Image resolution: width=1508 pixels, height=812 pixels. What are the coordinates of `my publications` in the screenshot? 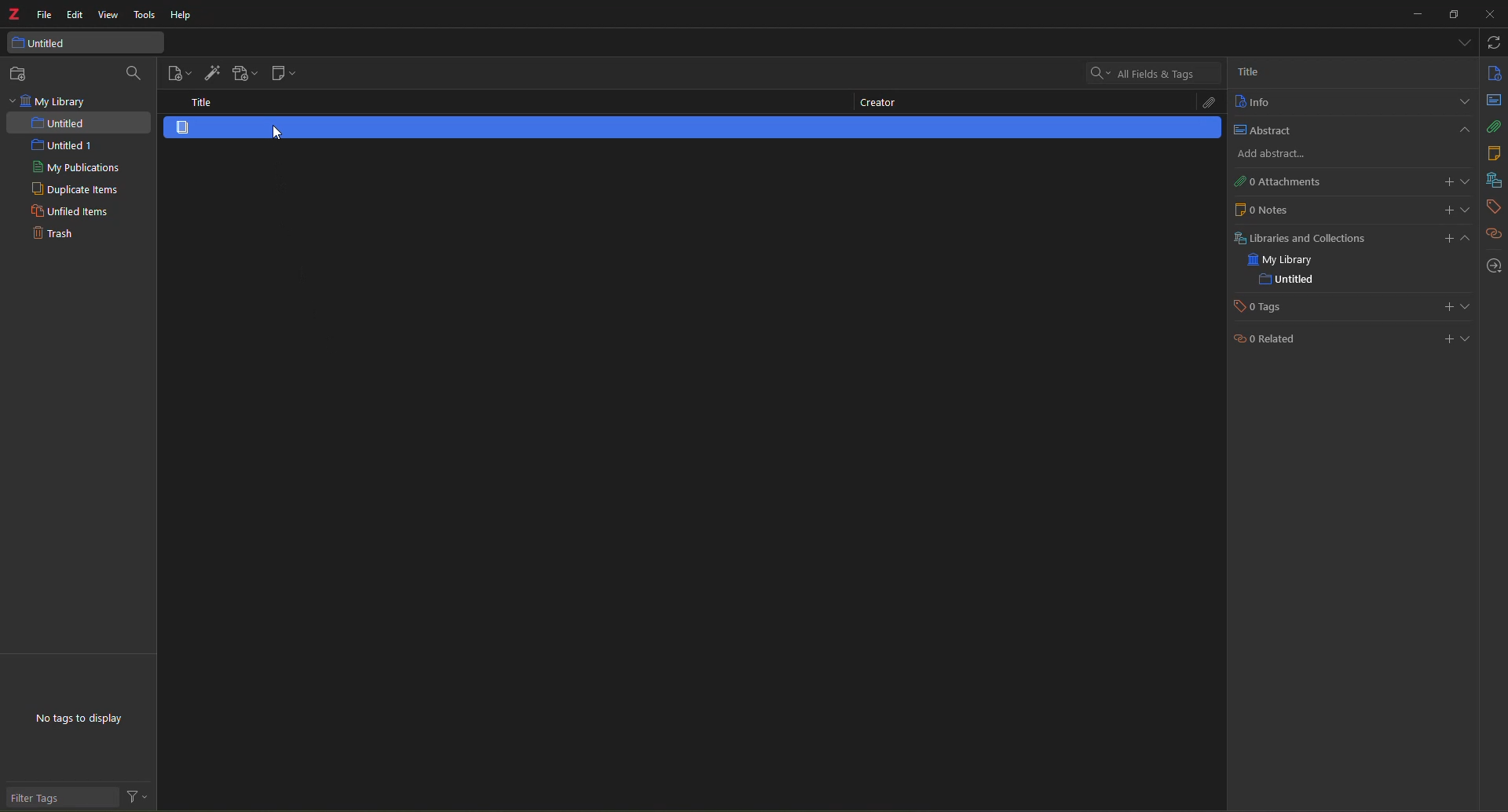 It's located at (77, 168).